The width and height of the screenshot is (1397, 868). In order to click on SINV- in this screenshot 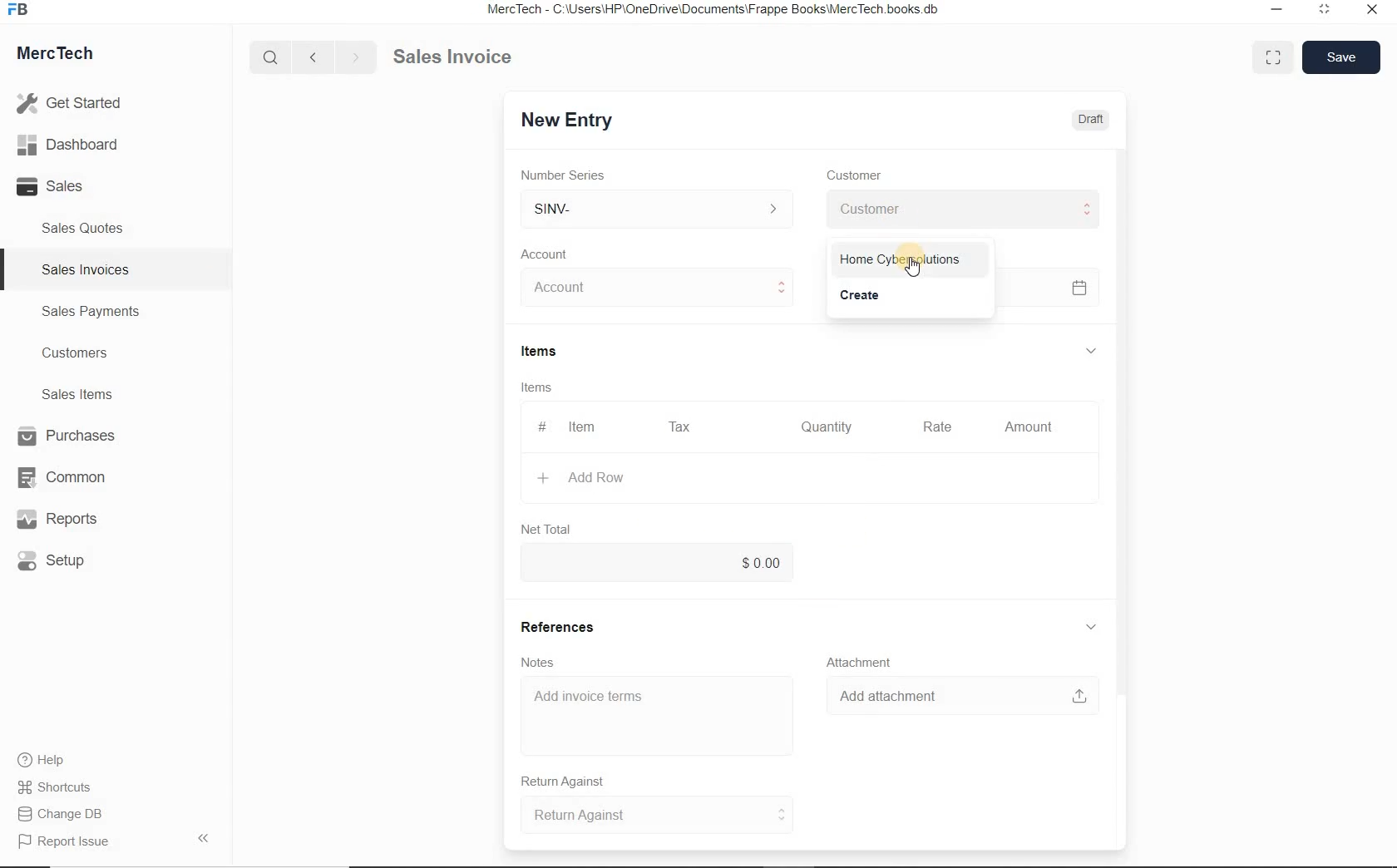, I will do `click(655, 210)`.